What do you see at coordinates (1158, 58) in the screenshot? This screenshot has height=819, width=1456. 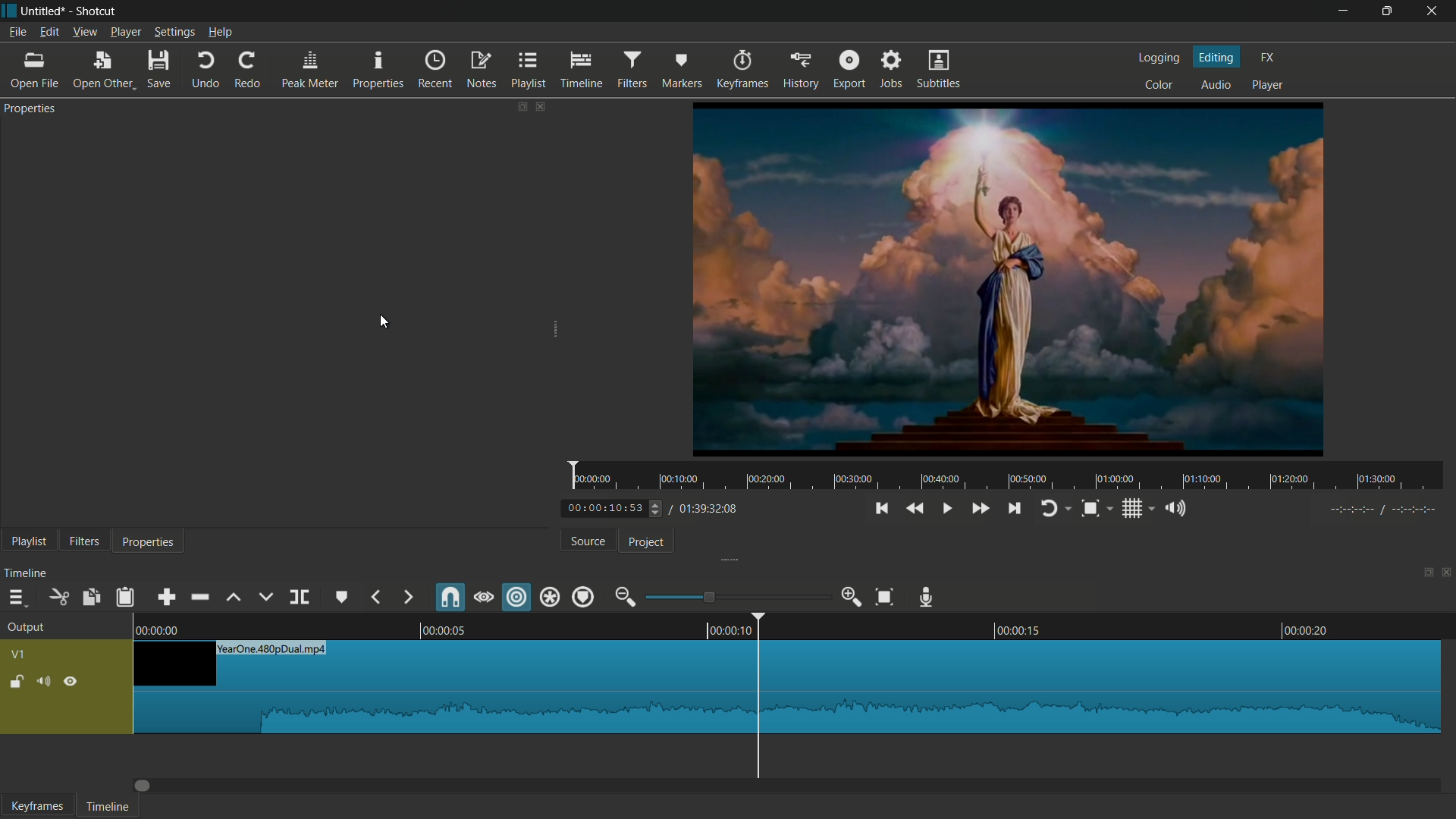 I see `logging` at bounding box center [1158, 58].